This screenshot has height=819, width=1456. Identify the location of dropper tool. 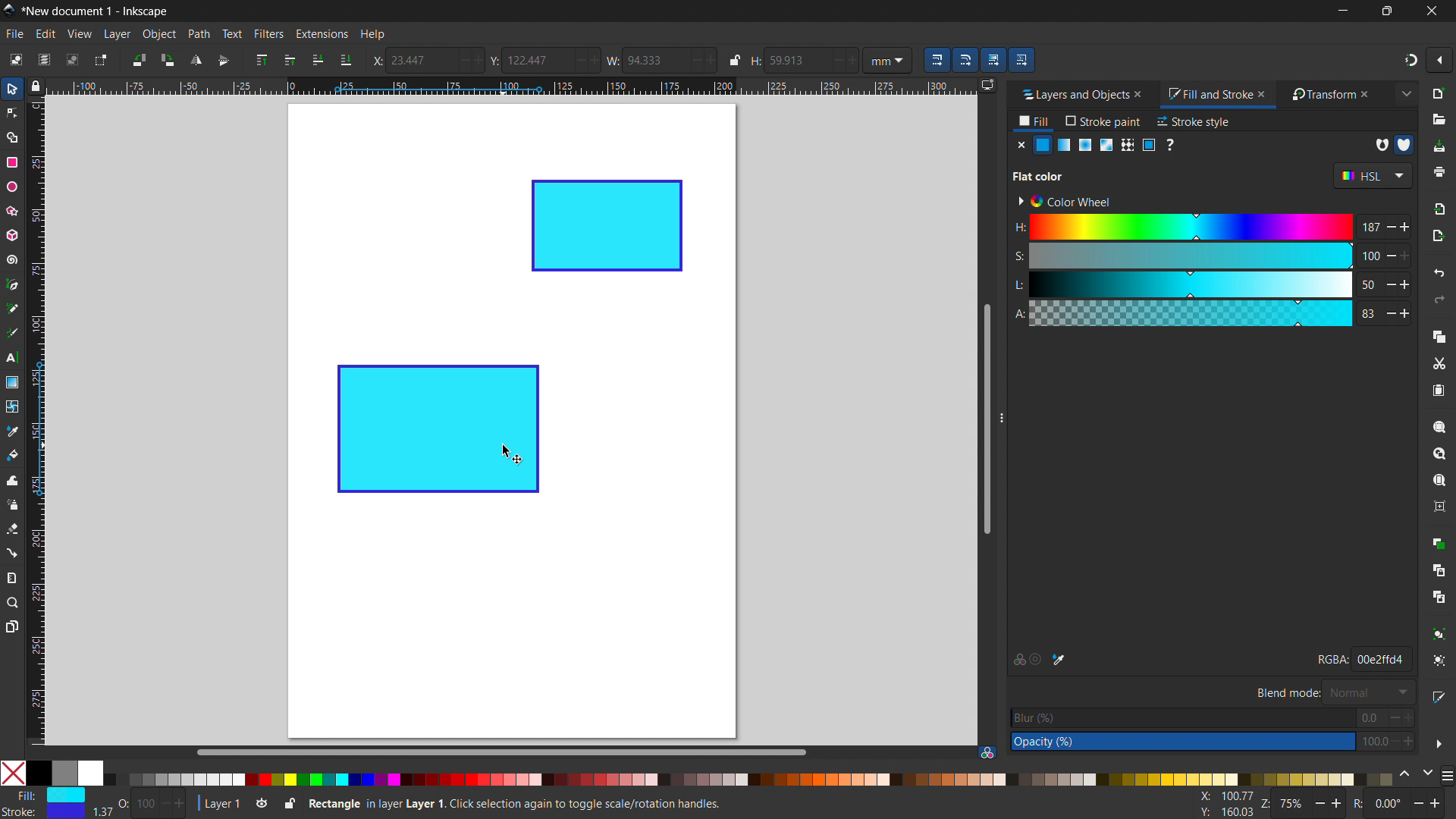
(12, 431).